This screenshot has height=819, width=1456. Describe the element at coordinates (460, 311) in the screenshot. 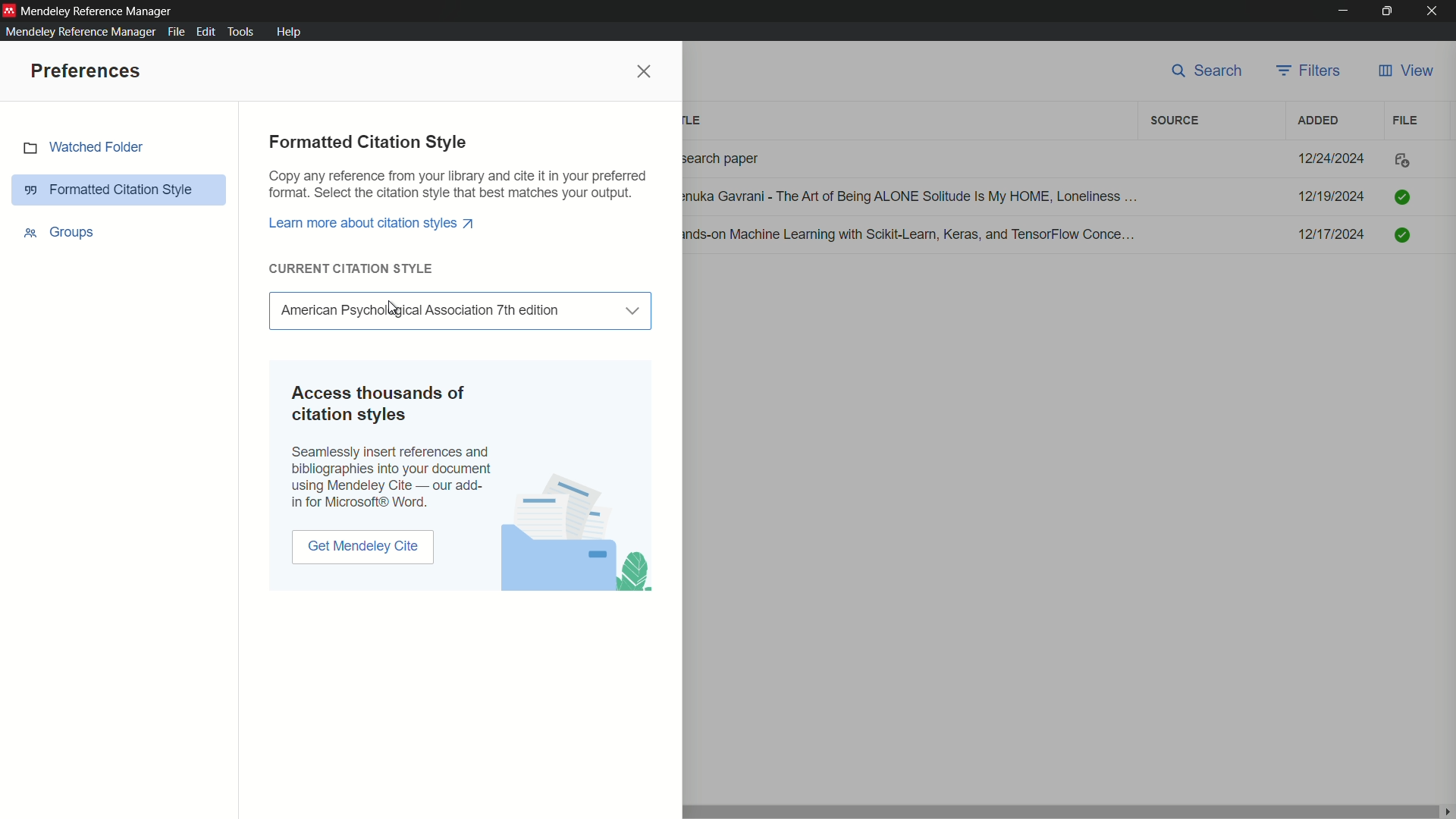

I see `current citation style` at that location.